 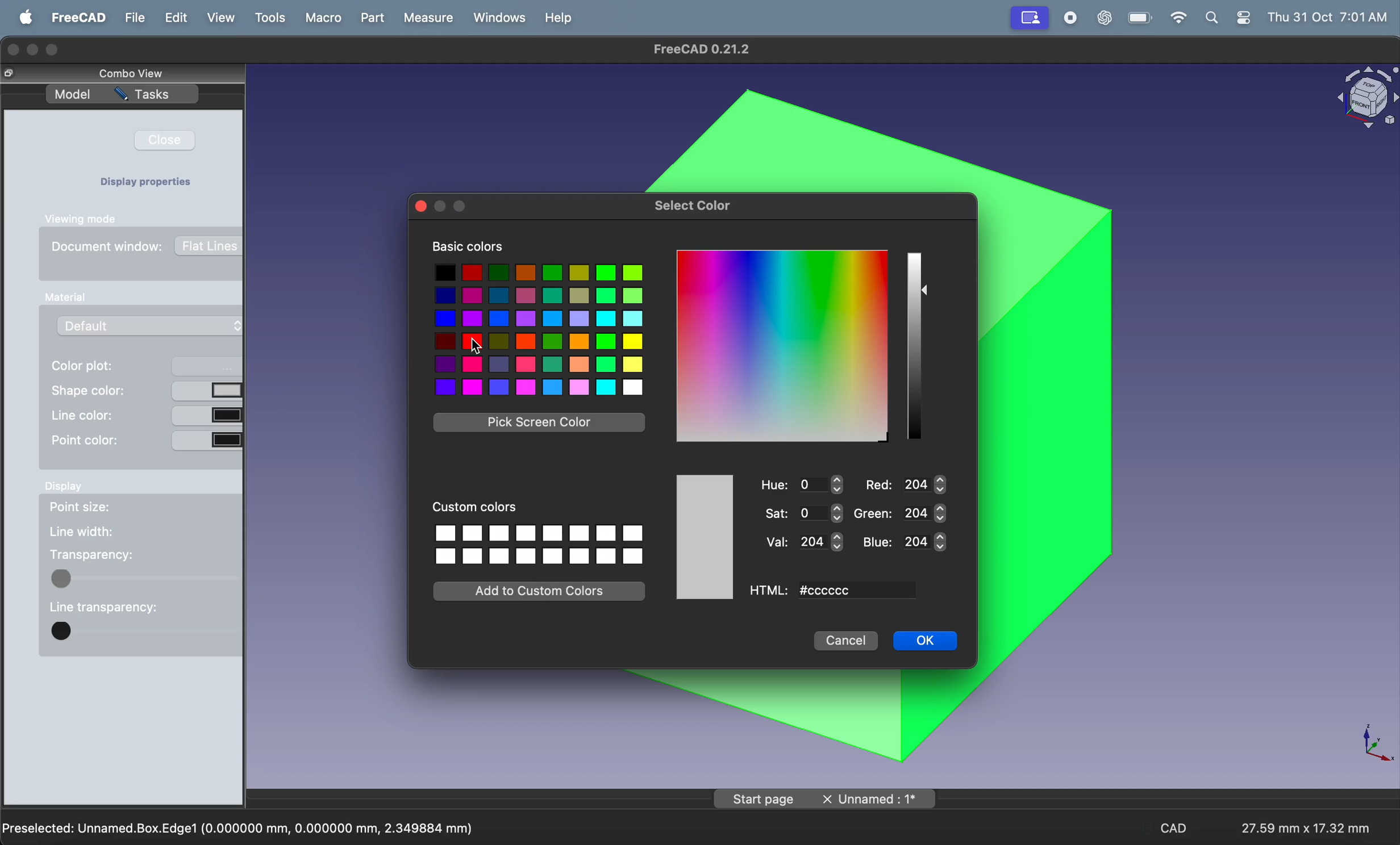 What do you see at coordinates (800, 484) in the screenshot?
I see `hue` at bounding box center [800, 484].